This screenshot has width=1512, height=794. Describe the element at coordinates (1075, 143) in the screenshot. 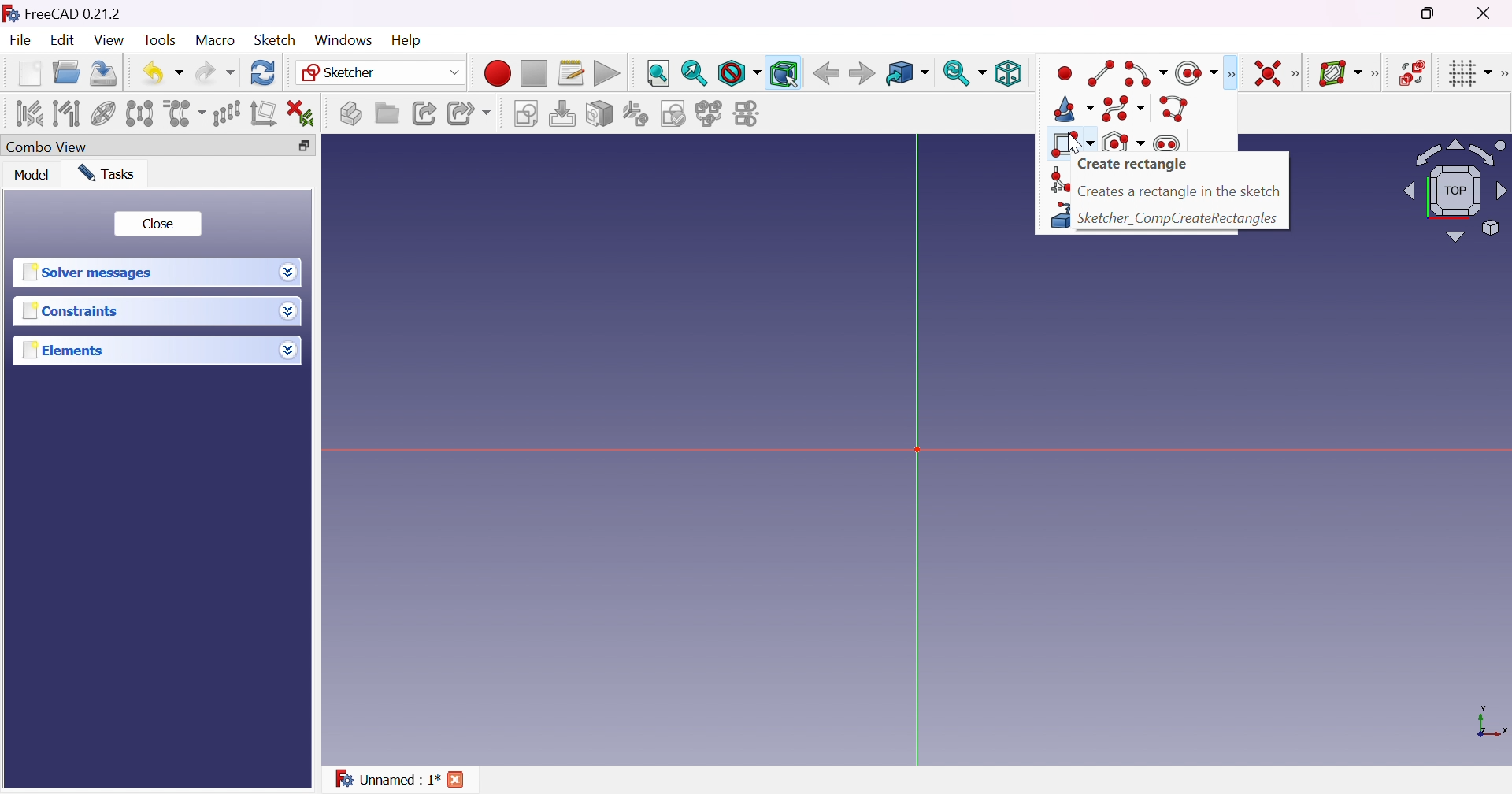

I see `cursor` at that location.